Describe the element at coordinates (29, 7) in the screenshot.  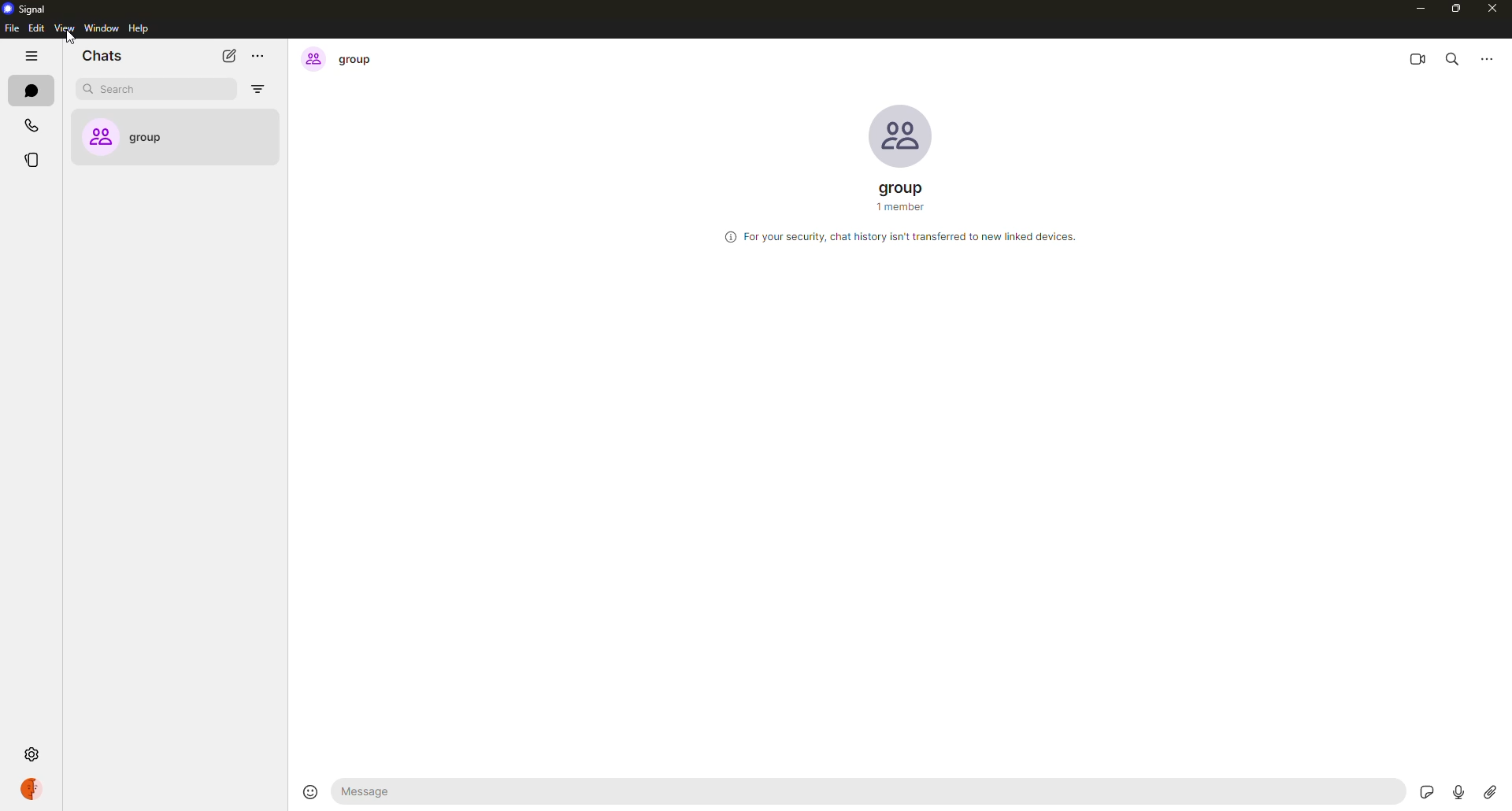
I see `signal` at that location.